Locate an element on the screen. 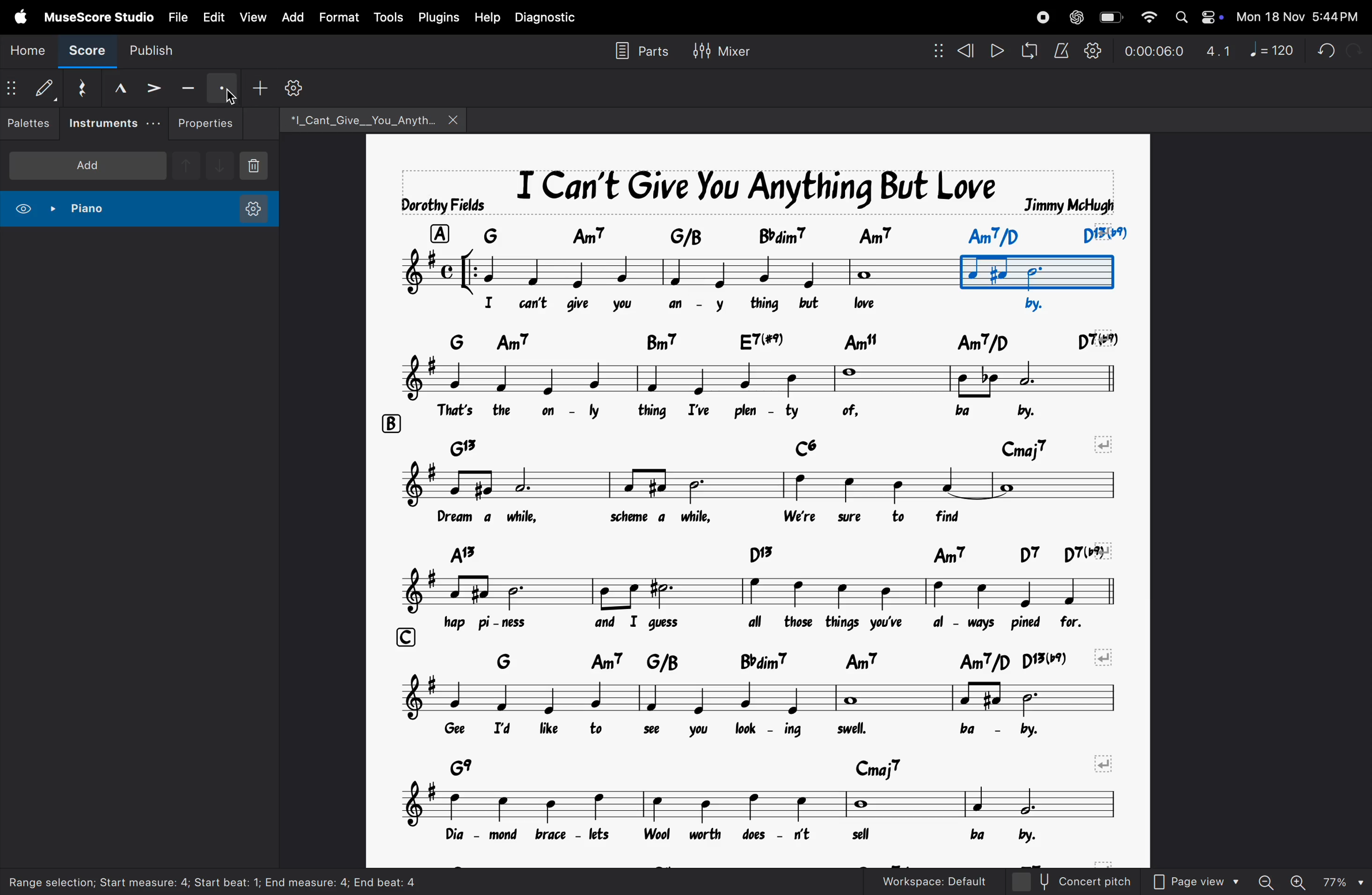  rewind is located at coordinates (955, 51).